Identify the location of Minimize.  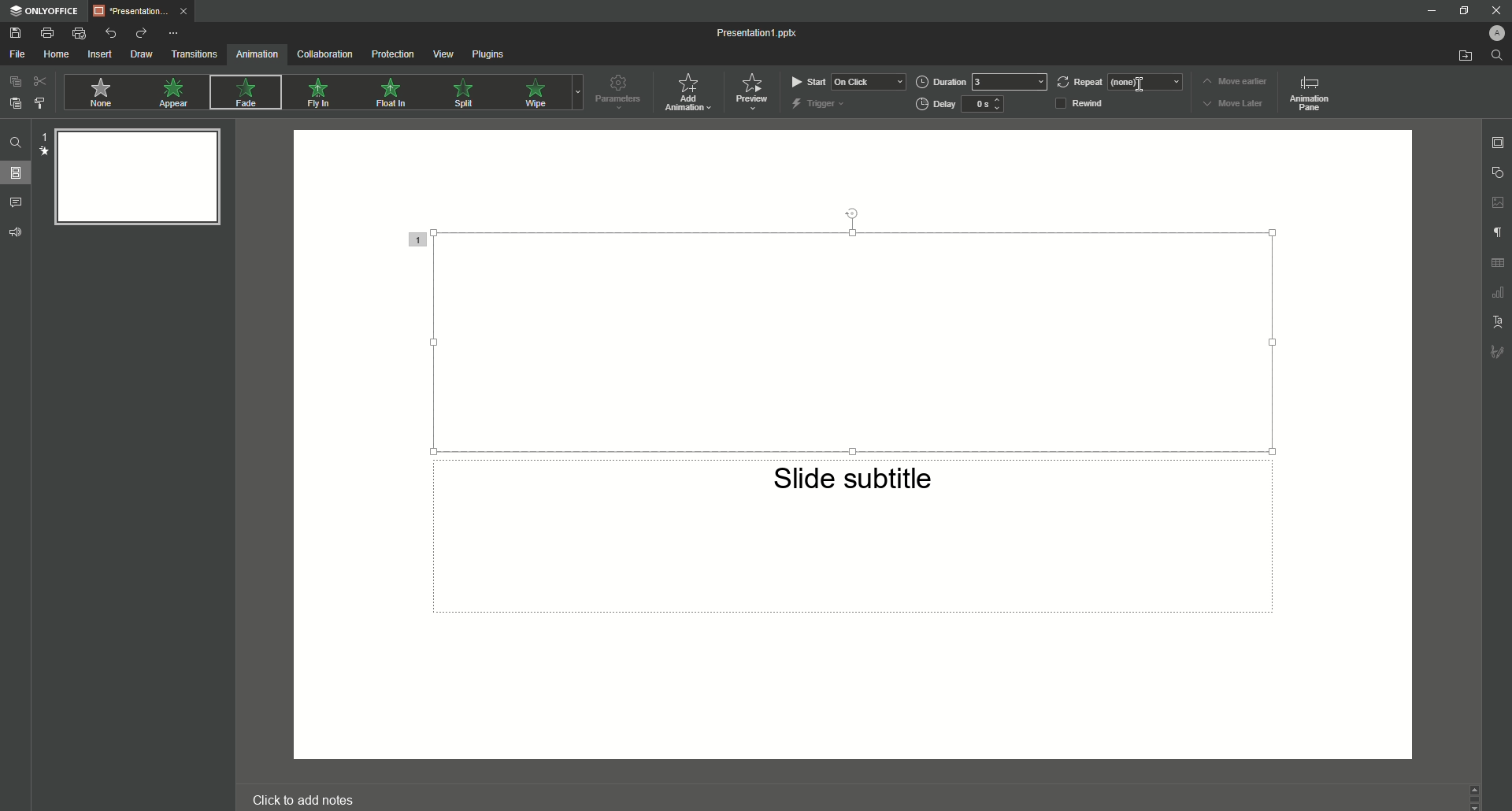
(1462, 11).